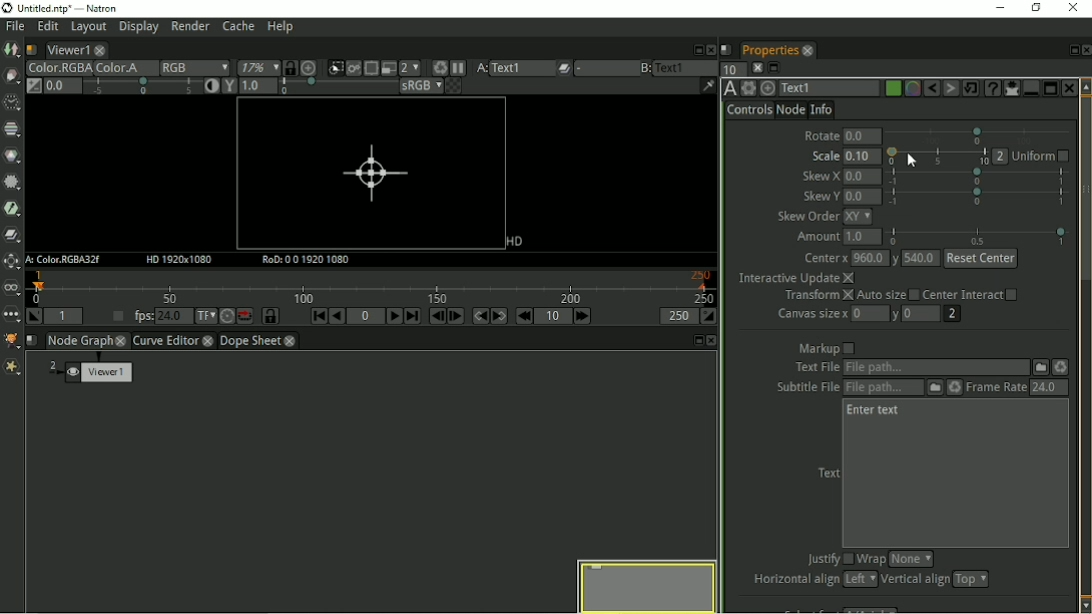  I want to click on Title, so click(61, 8).